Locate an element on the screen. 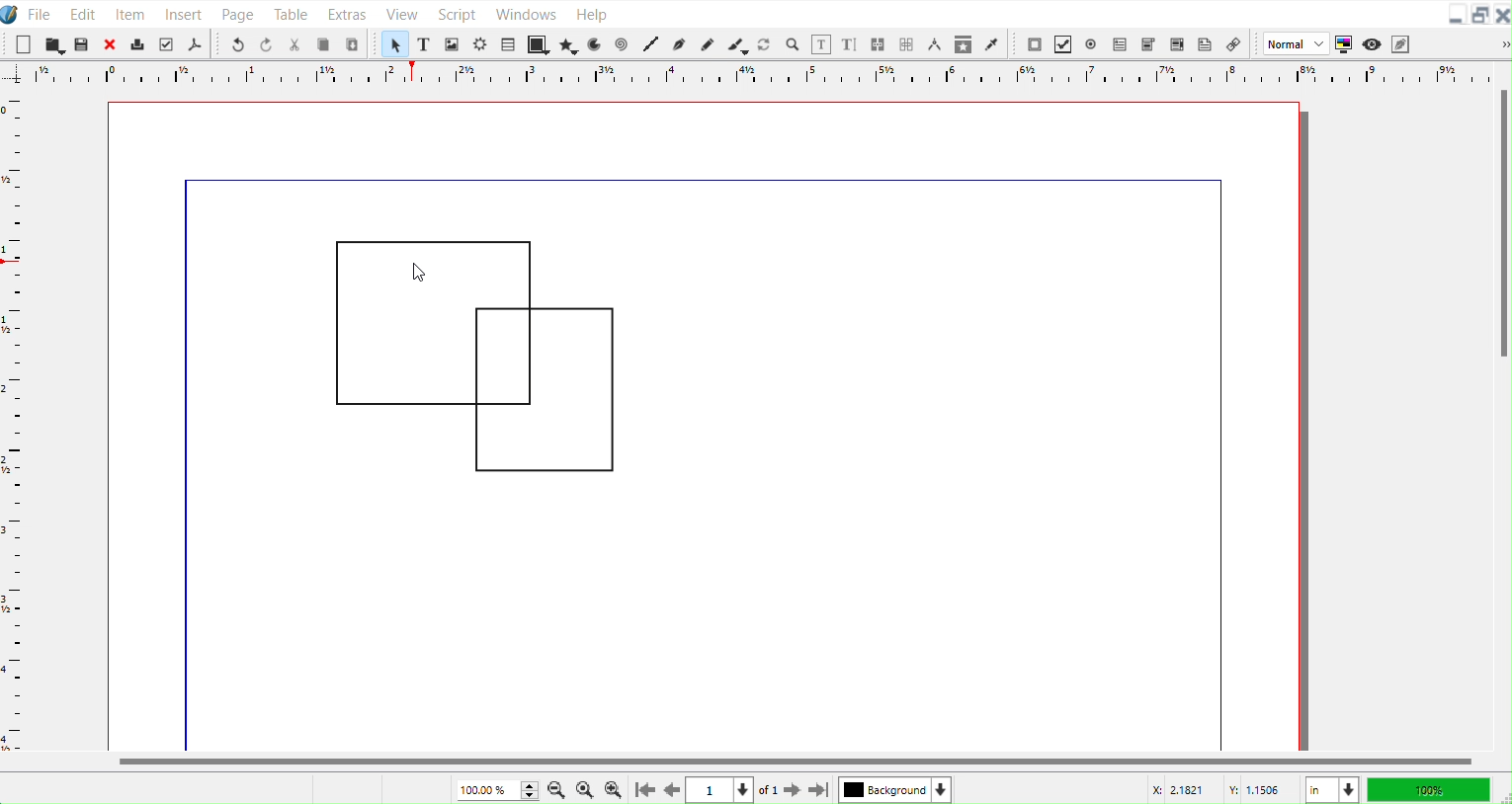 This screenshot has width=1512, height=804. Insert is located at coordinates (184, 13).